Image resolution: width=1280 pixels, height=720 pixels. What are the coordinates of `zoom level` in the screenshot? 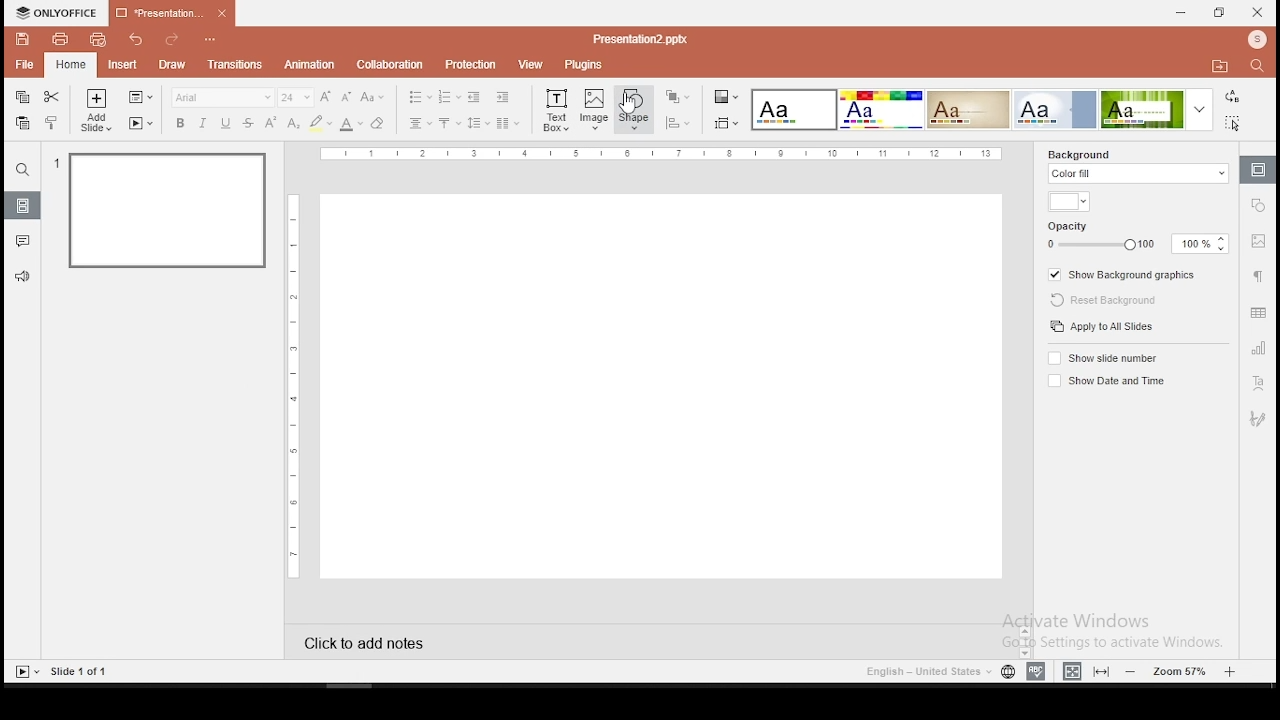 It's located at (1182, 670).